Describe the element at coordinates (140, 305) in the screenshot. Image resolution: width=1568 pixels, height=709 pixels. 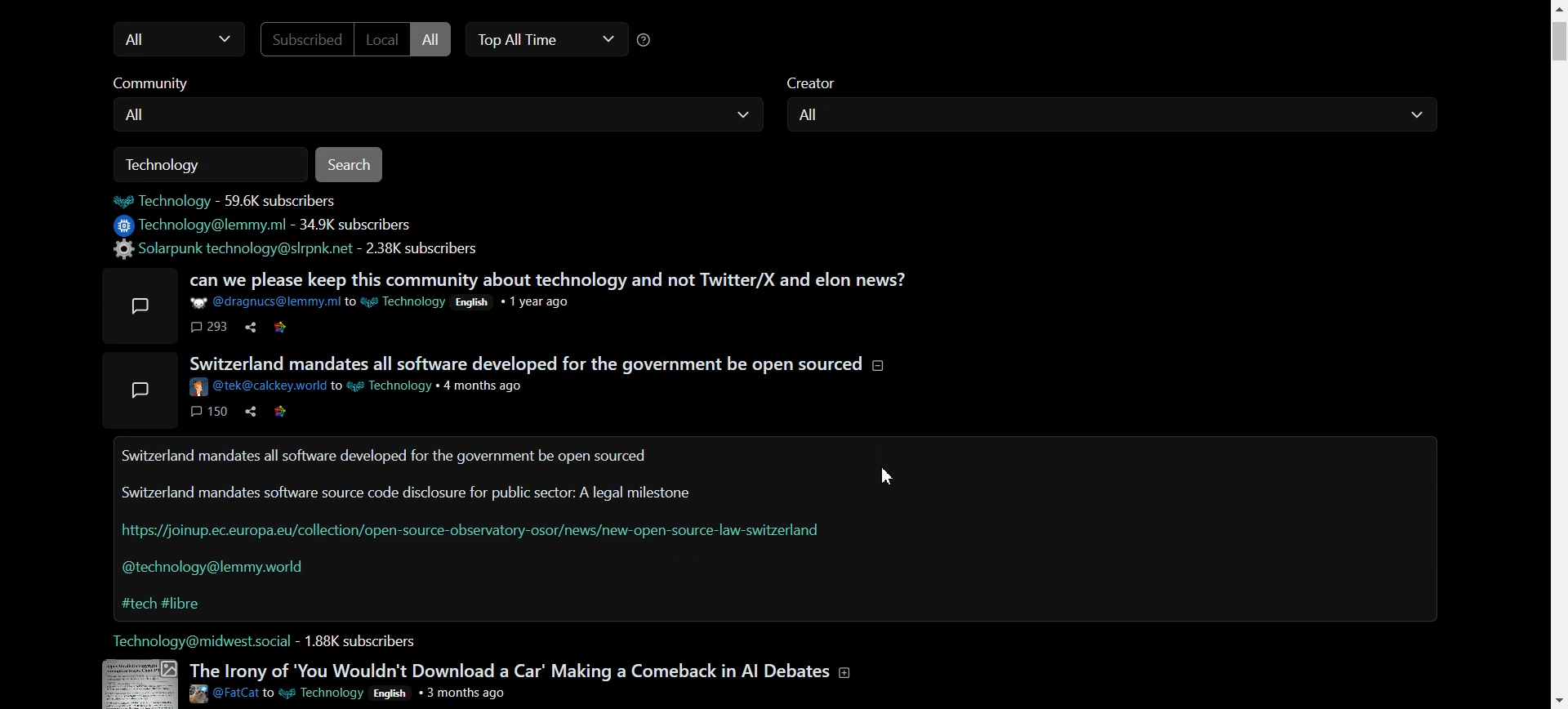
I see `Expand here` at that location.